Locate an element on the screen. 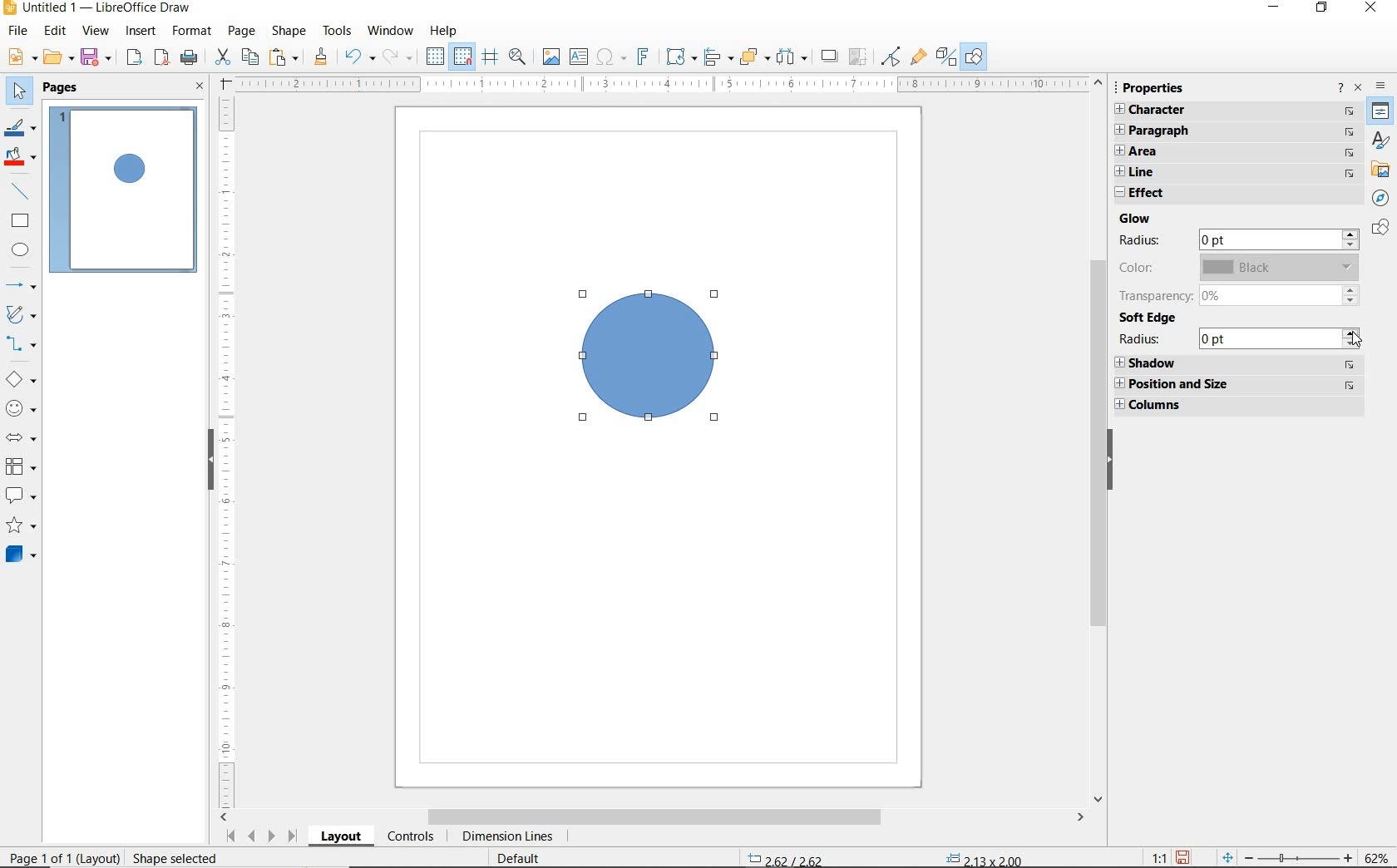 This screenshot has height=868, width=1397. SHADOW is located at coordinates (829, 57).